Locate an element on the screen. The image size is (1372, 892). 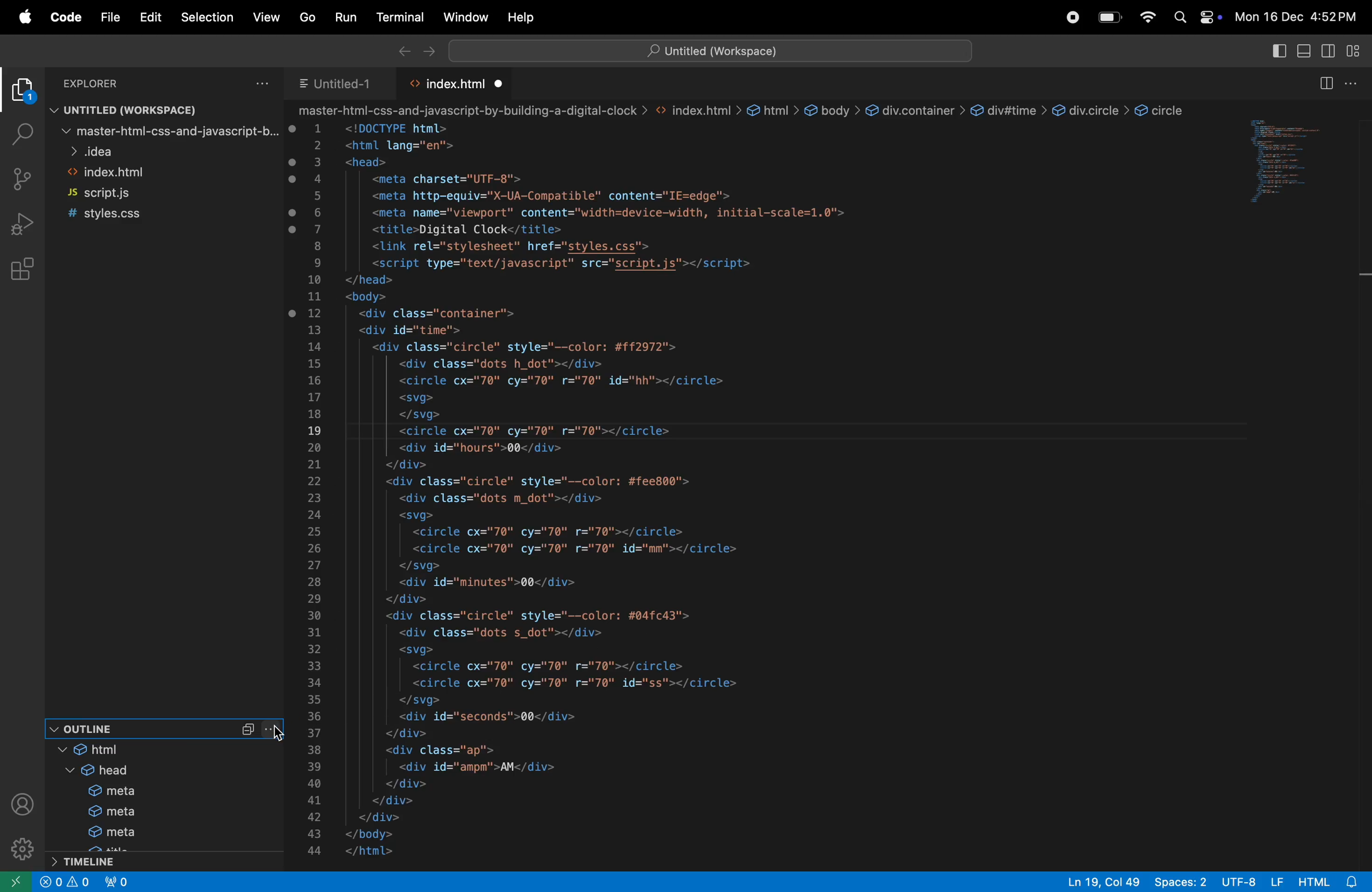
cursor is located at coordinates (276, 737).